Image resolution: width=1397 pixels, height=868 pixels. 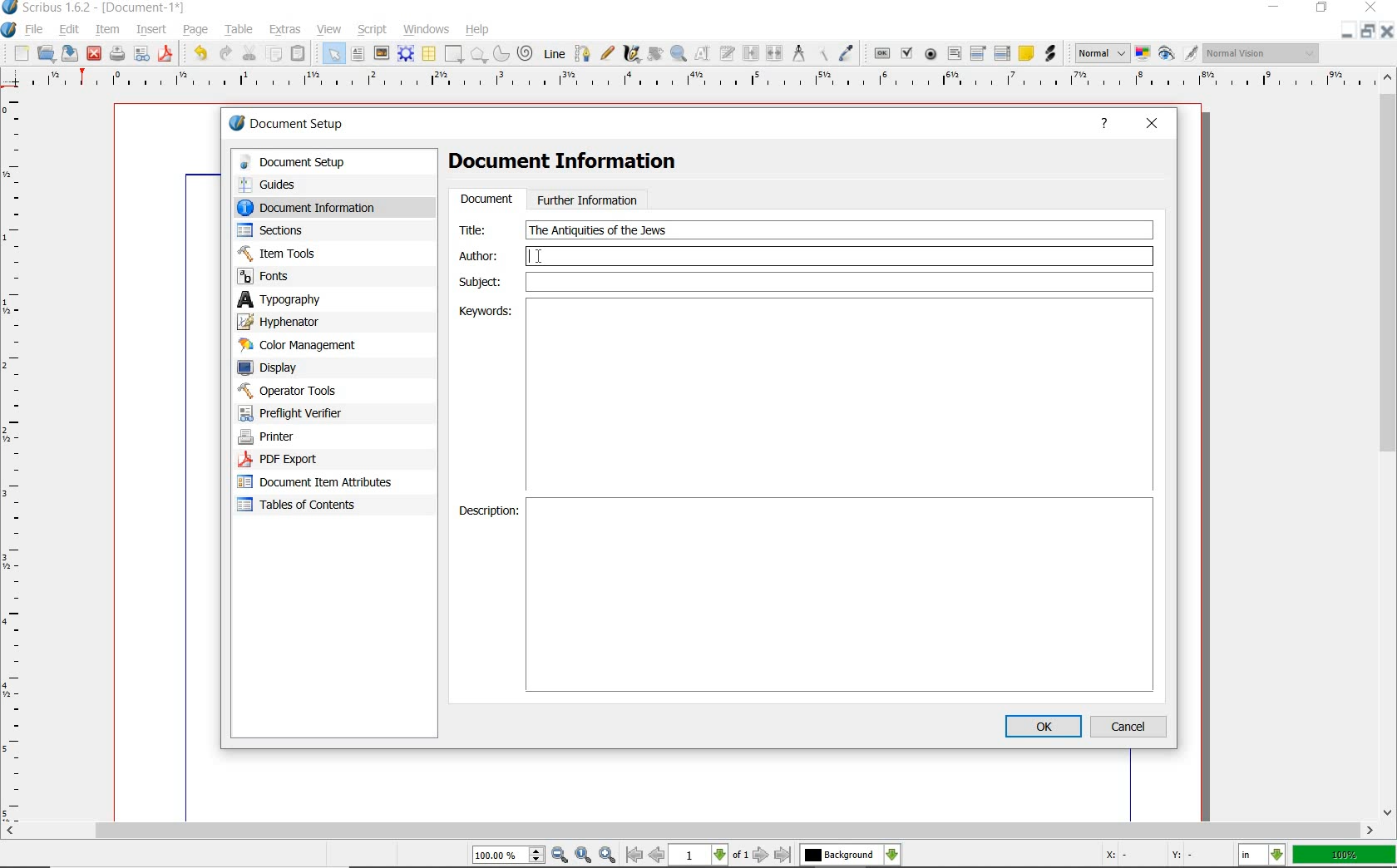 What do you see at coordinates (486, 200) in the screenshot?
I see `document` at bounding box center [486, 200].